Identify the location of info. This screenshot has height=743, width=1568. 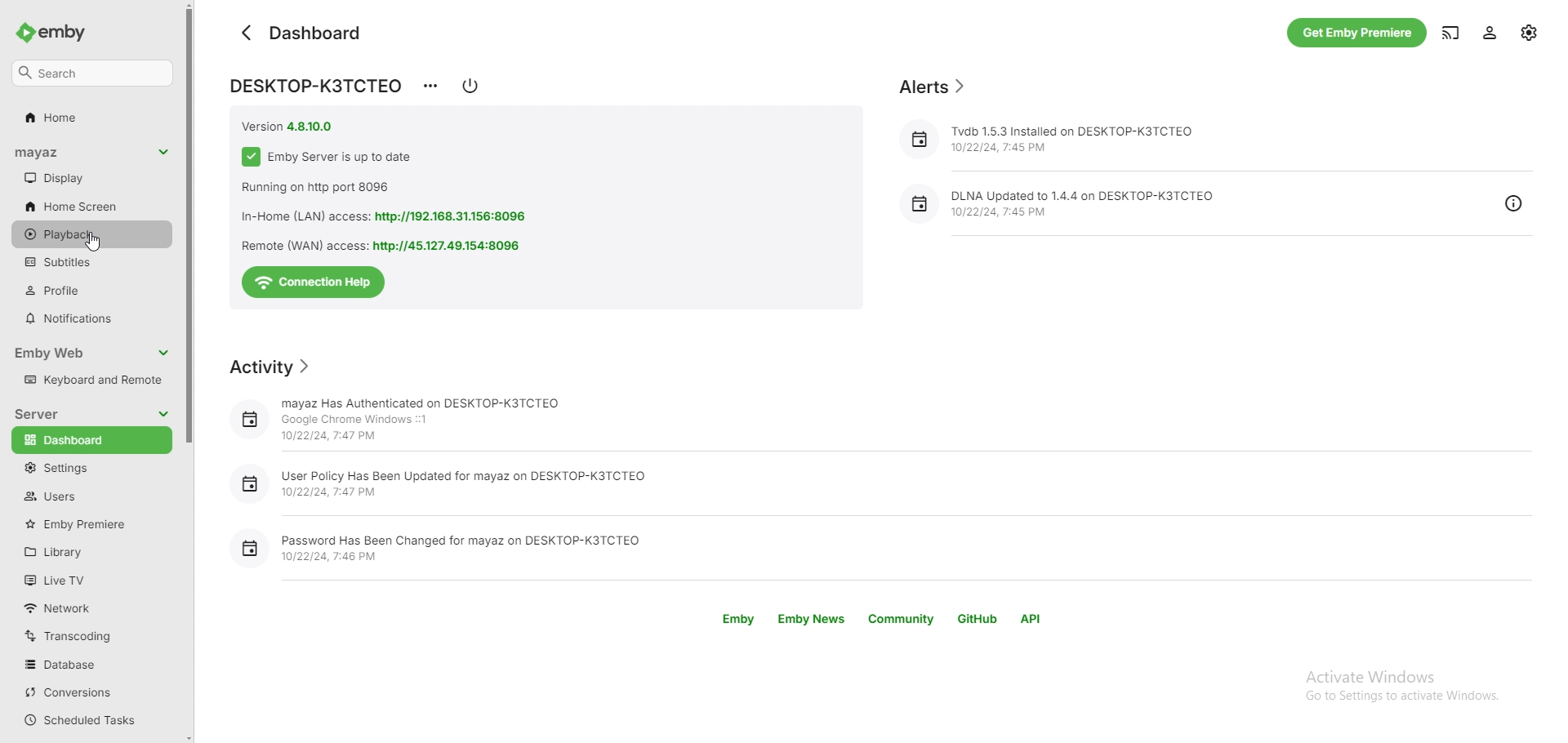
(1517, 204).